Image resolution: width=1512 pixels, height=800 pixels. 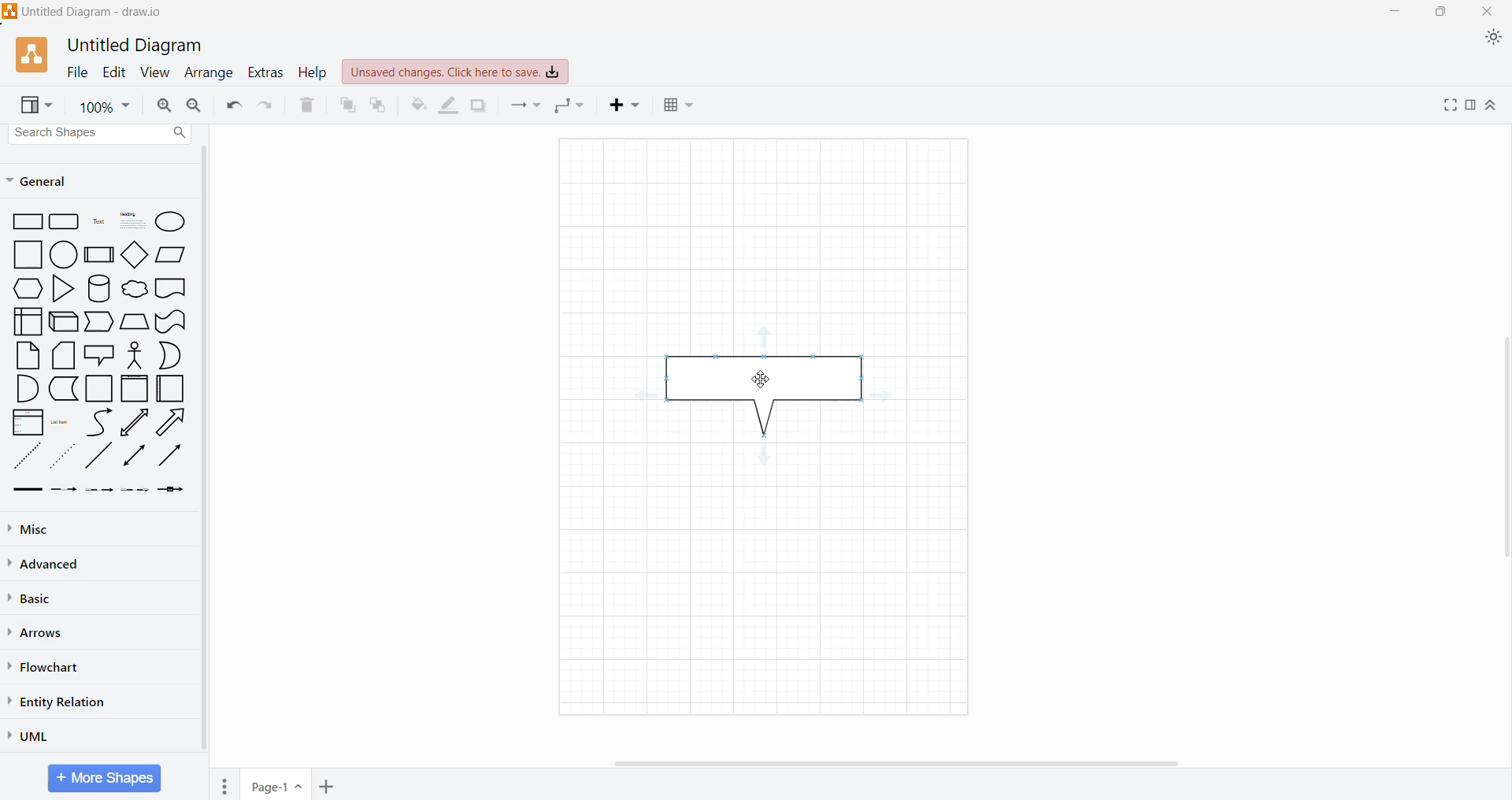 What do you see at coordinates (172, 490) in the screenshot?
I see `Arrow with a Box` at bounding box center [172, 490].